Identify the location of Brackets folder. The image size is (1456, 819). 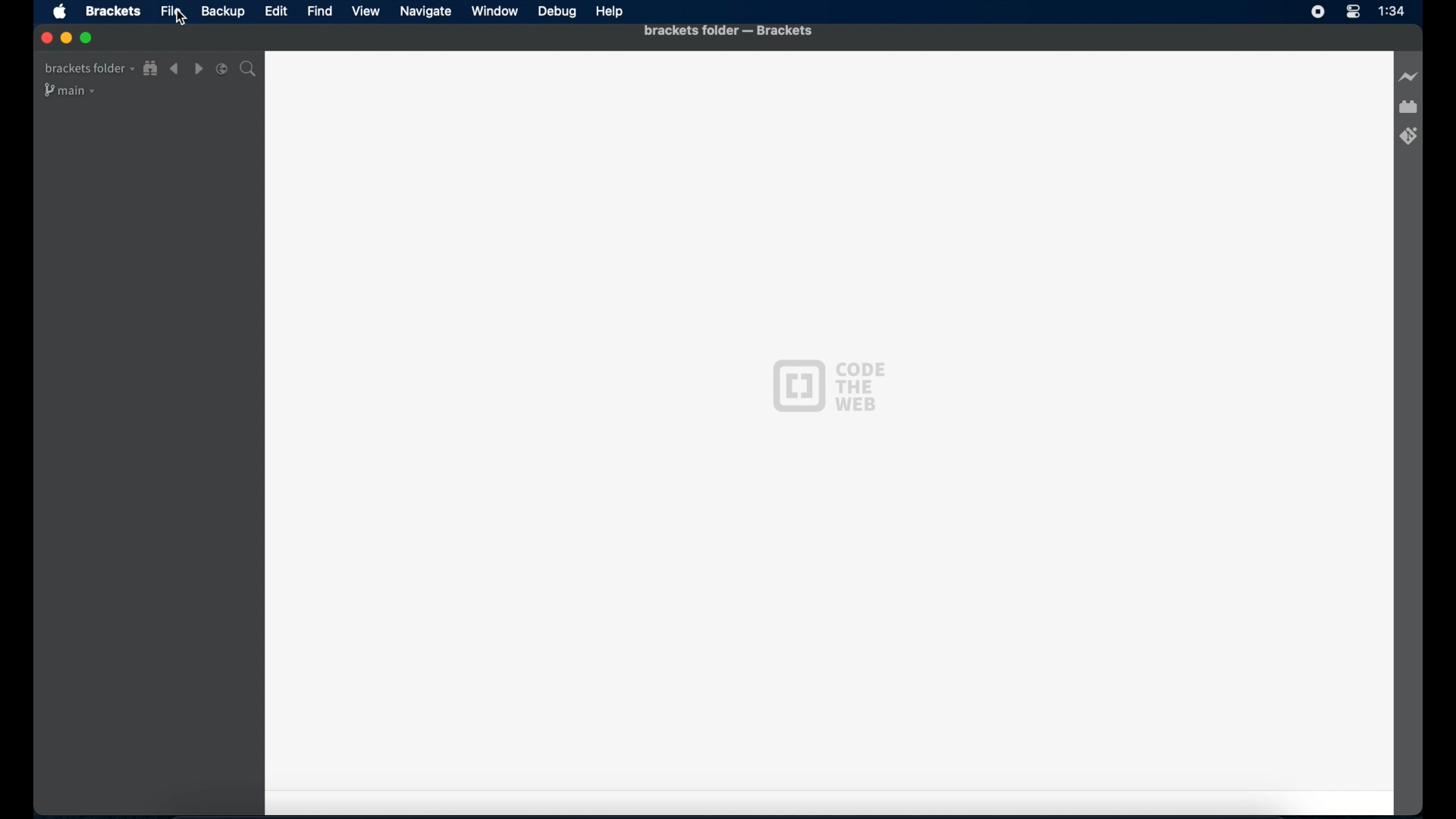
(89, 69).